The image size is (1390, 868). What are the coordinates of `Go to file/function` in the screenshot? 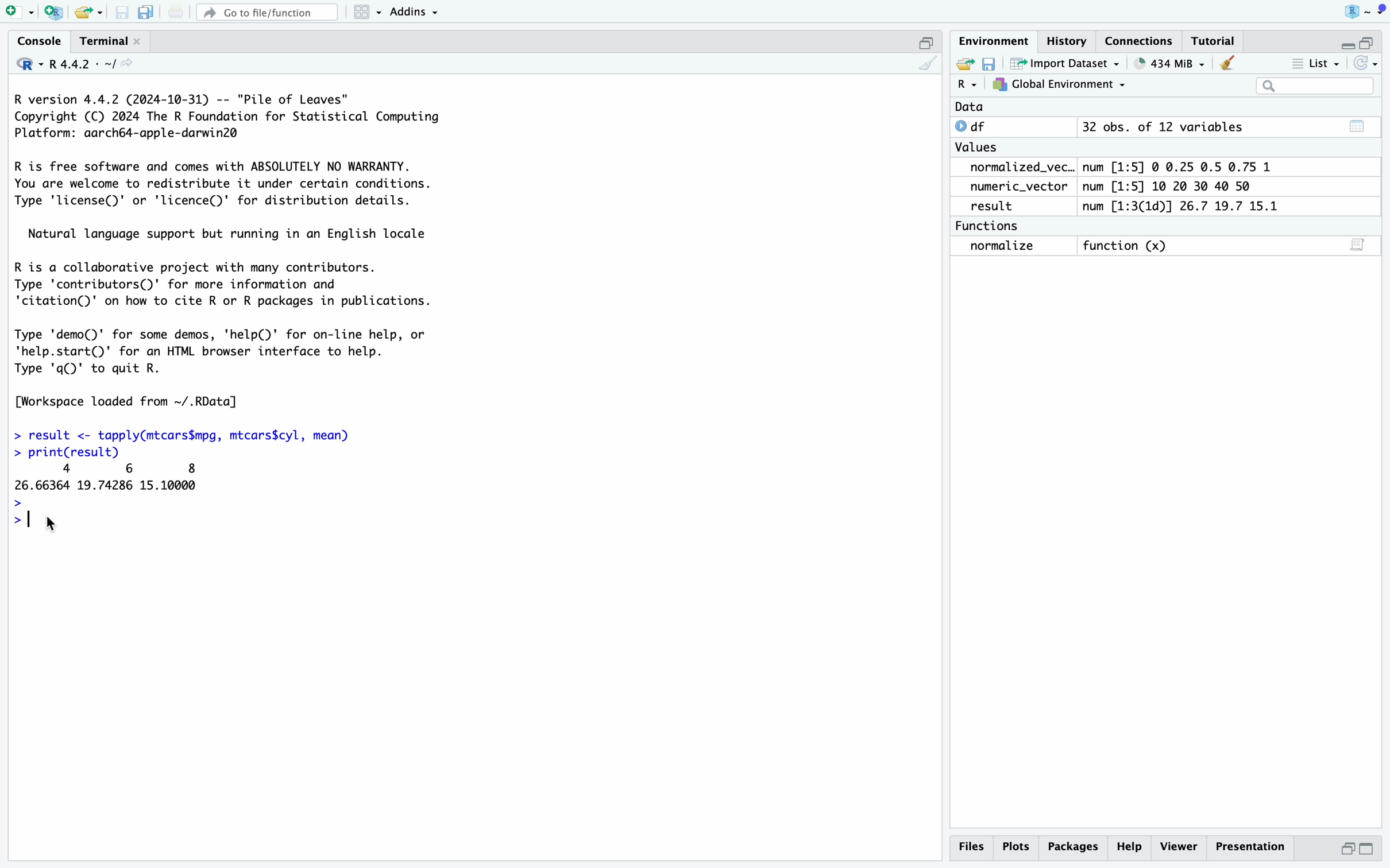 It's located at (268, 12).